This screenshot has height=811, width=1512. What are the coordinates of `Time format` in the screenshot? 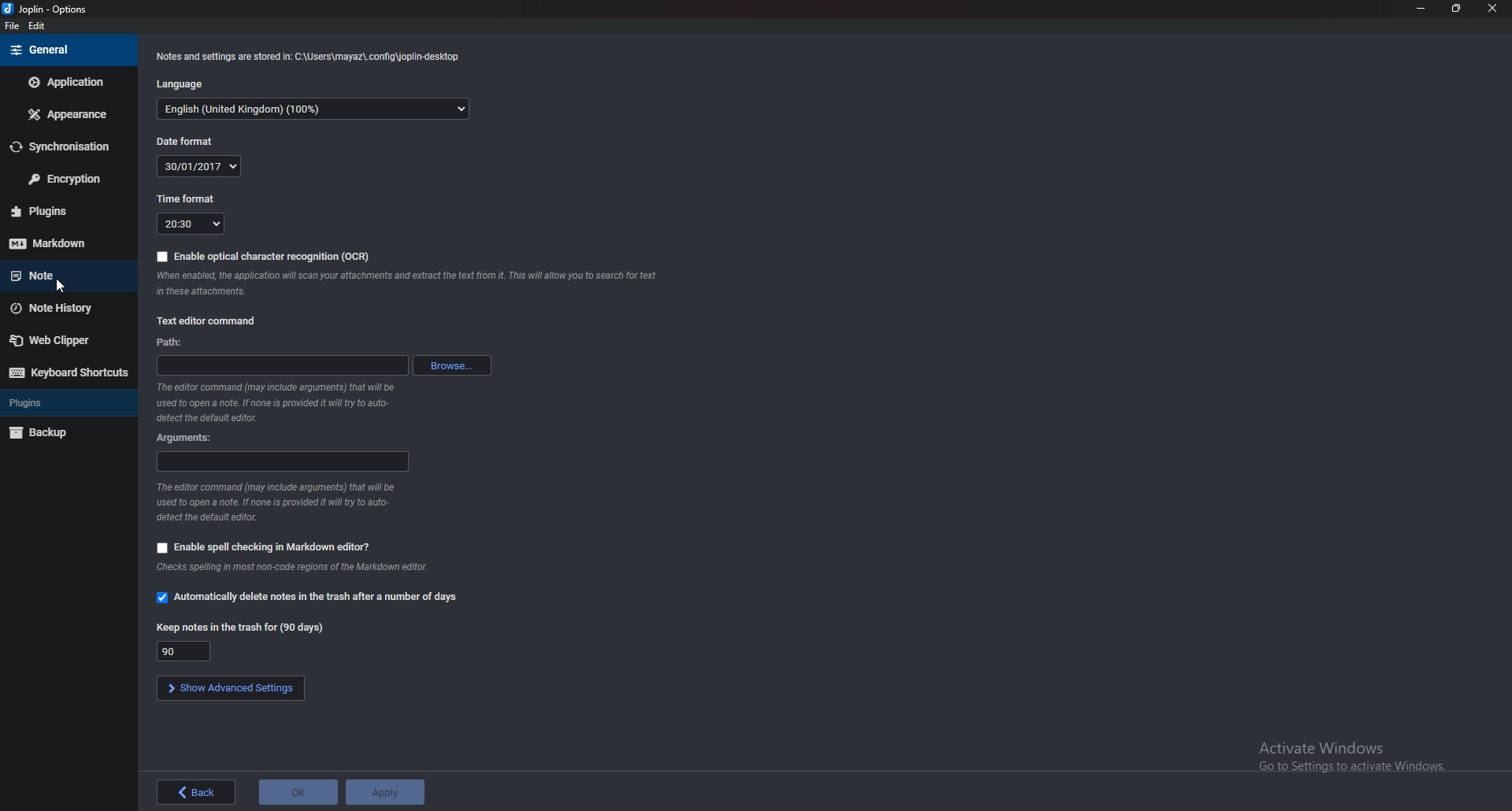 It's located at (188, 224).